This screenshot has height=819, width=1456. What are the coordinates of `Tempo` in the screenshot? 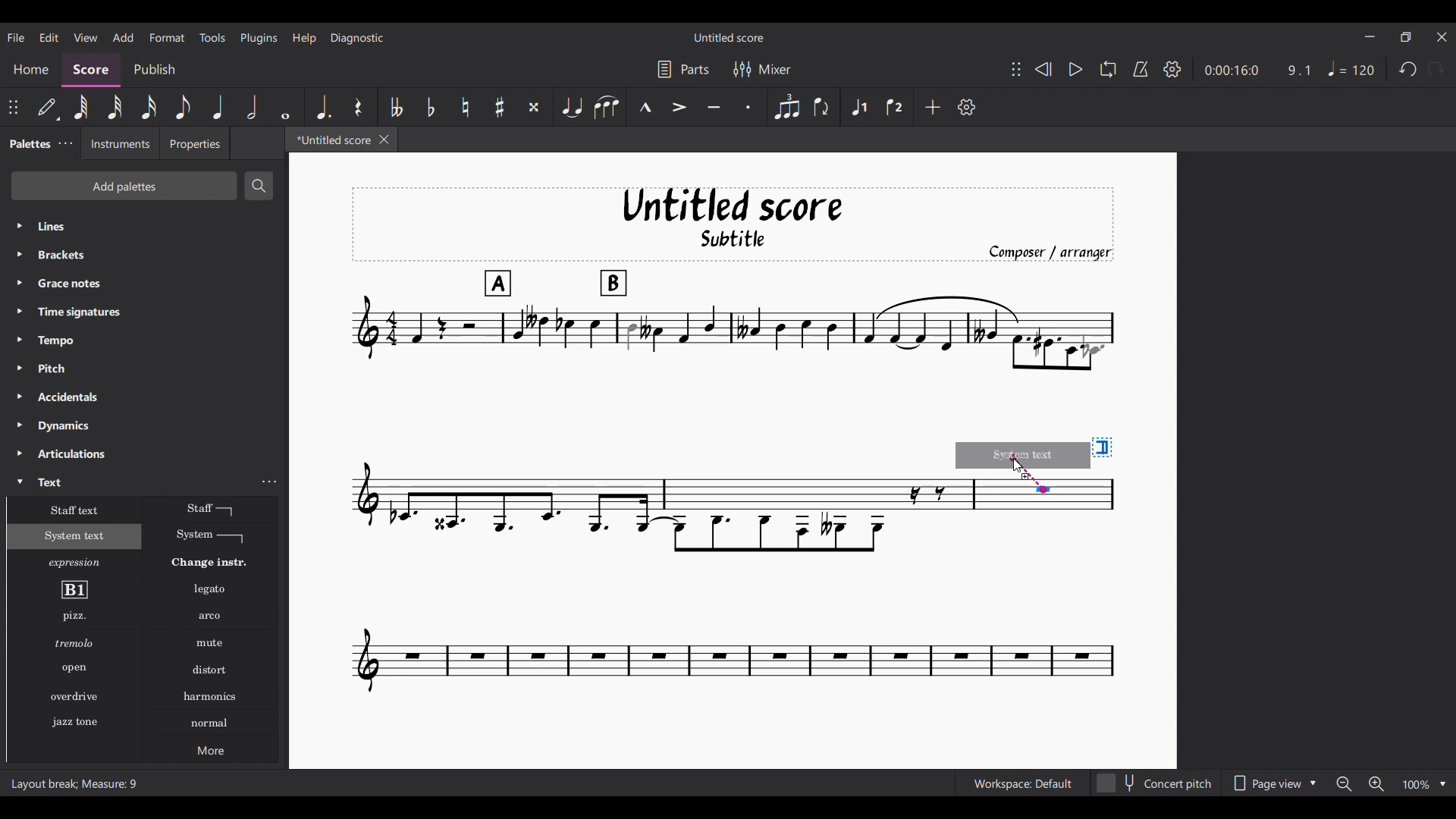 It's located at (1351, 69).